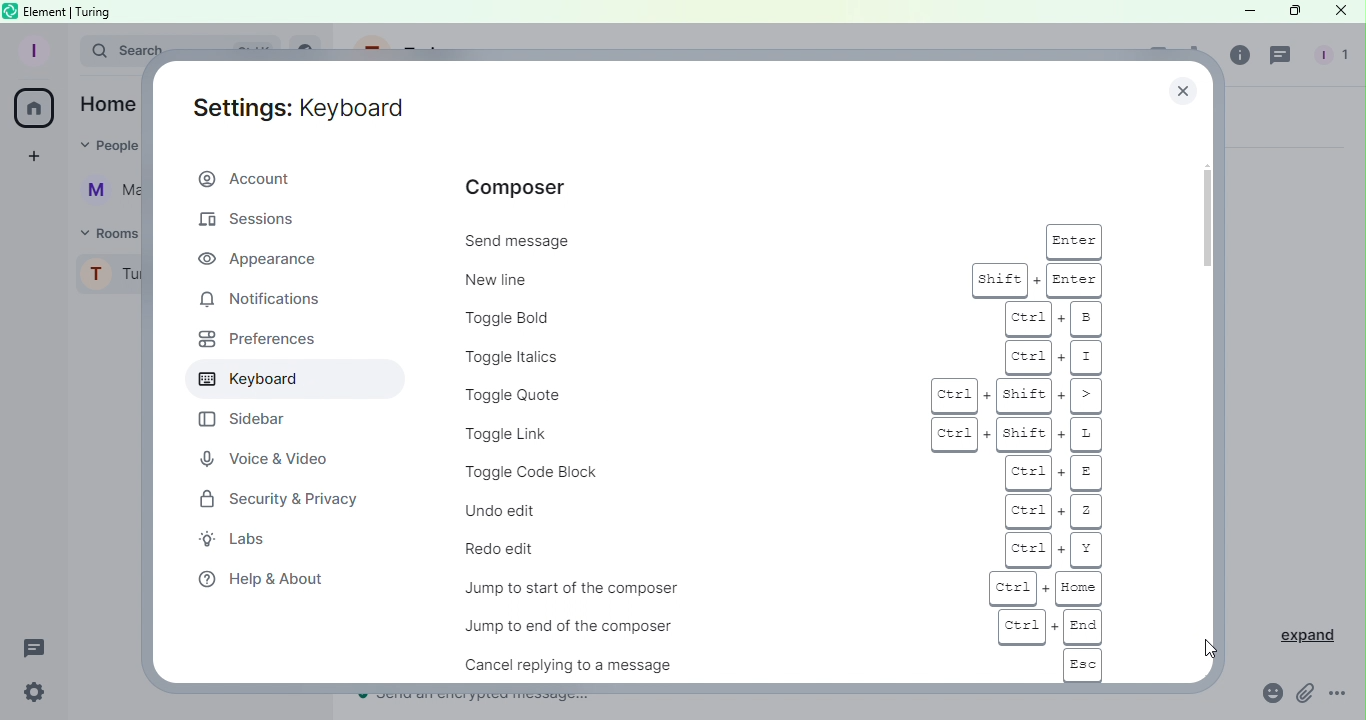 Image resolution: width=1366 pixels, height=720 pixels. Describe the element at coordinates (100, 233) in the screenshot. I see `Rooms` at that location.